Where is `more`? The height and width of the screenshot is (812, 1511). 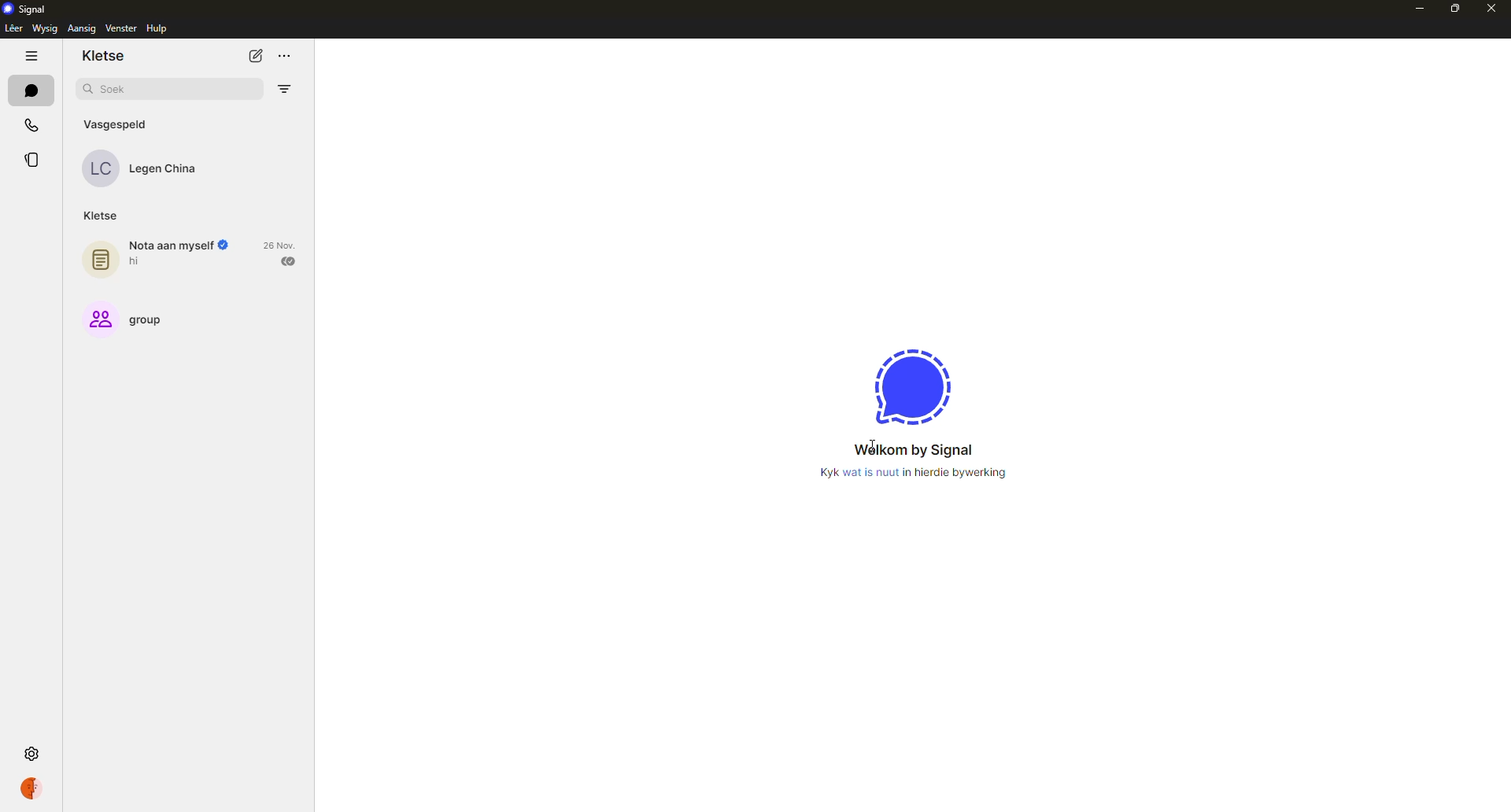
more is located at coordinates (285, 57).